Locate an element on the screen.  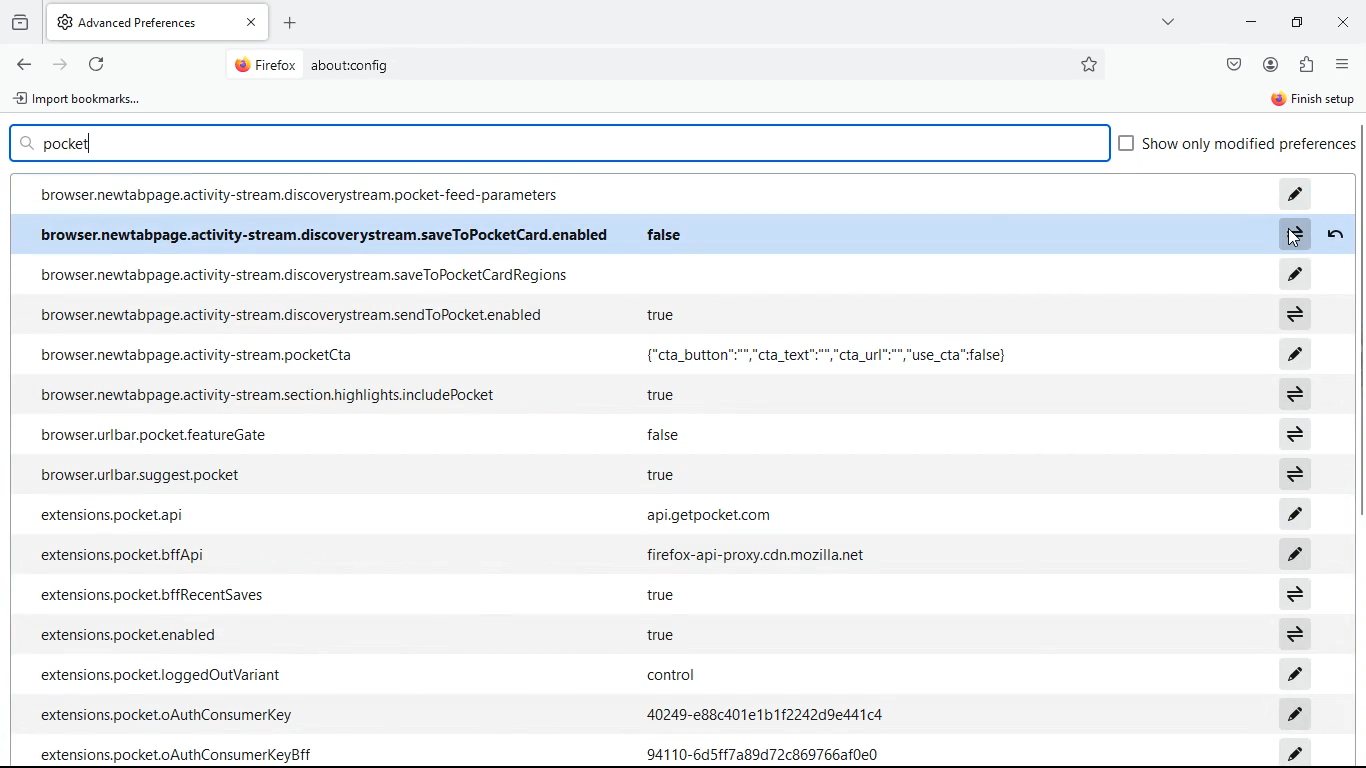
switch is located at coordinates (1296, 594).